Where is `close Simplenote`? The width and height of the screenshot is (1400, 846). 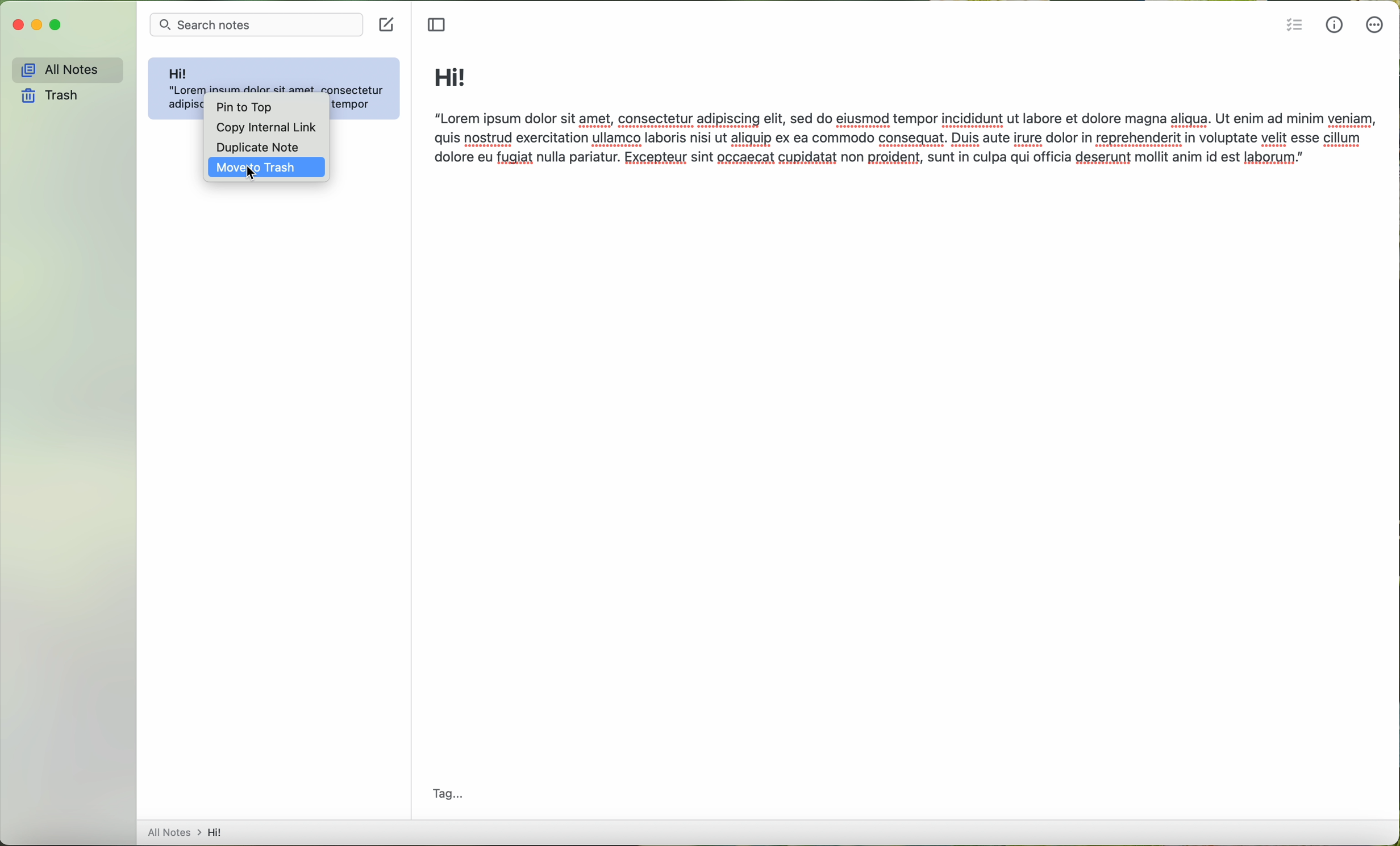 close Simplenote is located at coordinates (18, 25).